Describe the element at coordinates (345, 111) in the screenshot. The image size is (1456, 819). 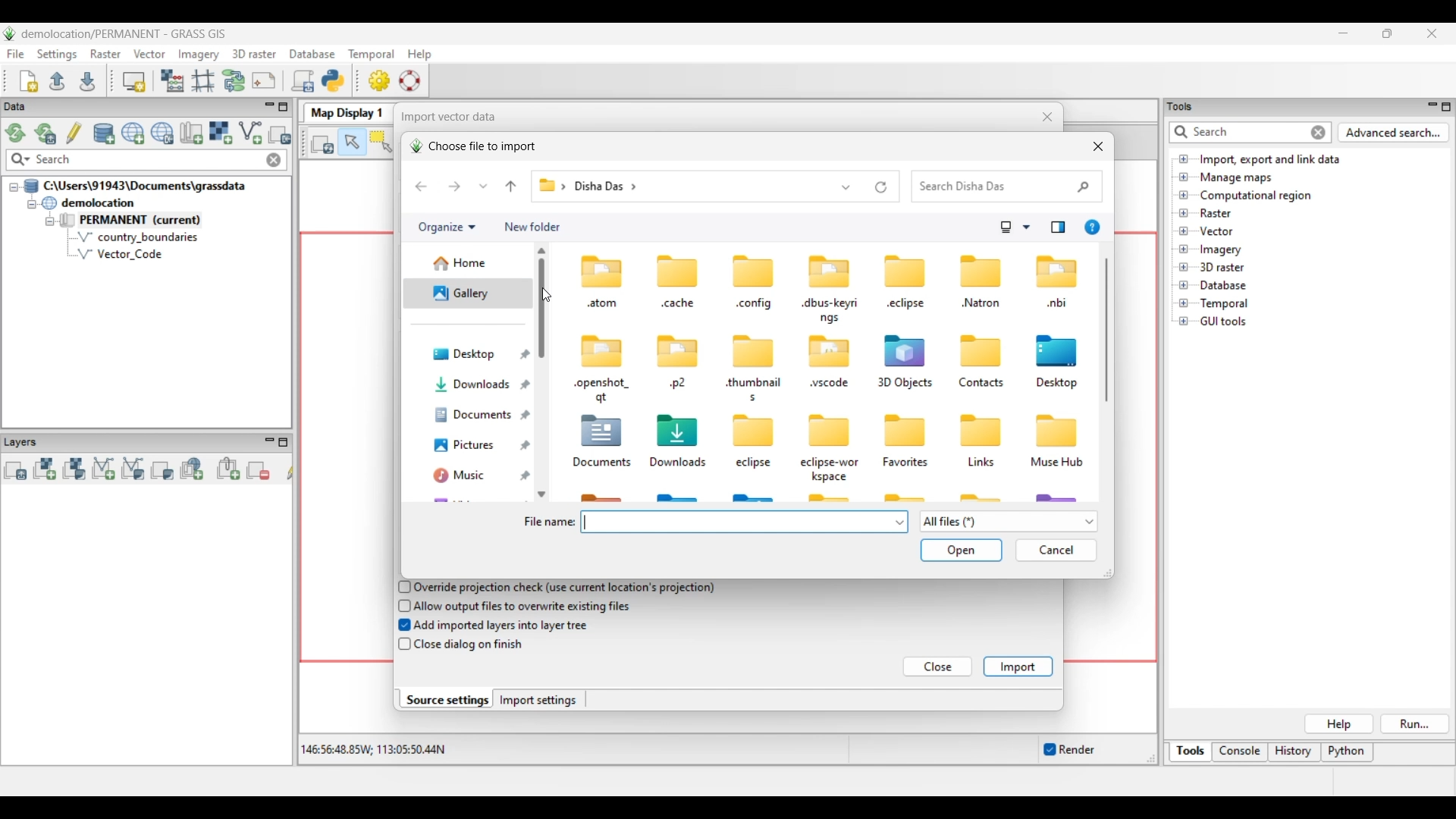
I see `Map Display 1 tab` at that location.